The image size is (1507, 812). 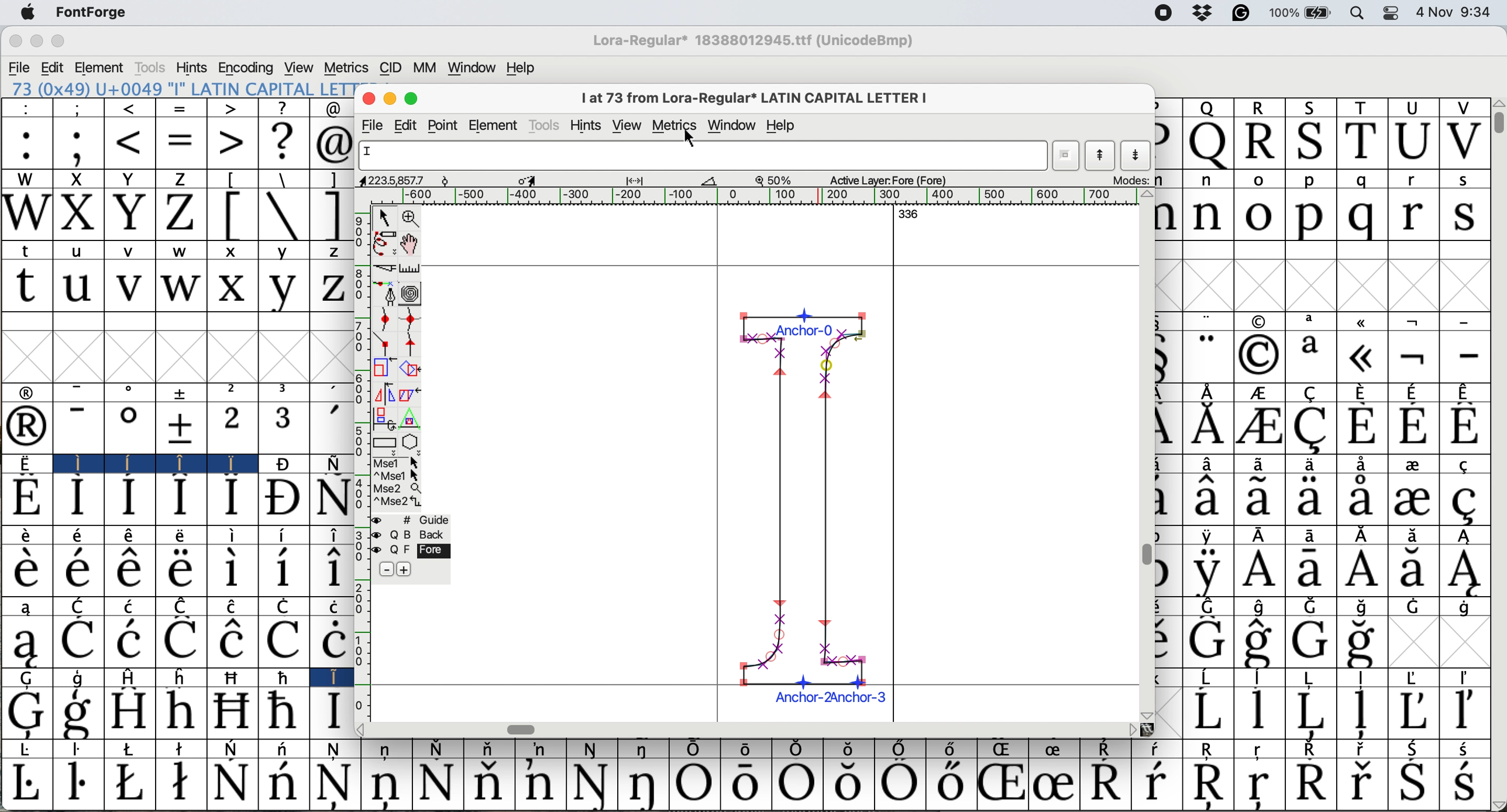 What do you see at coordinates (397, 476) in the screenshot?
I see `^ Mse 1` at bounding box center [397, 476].